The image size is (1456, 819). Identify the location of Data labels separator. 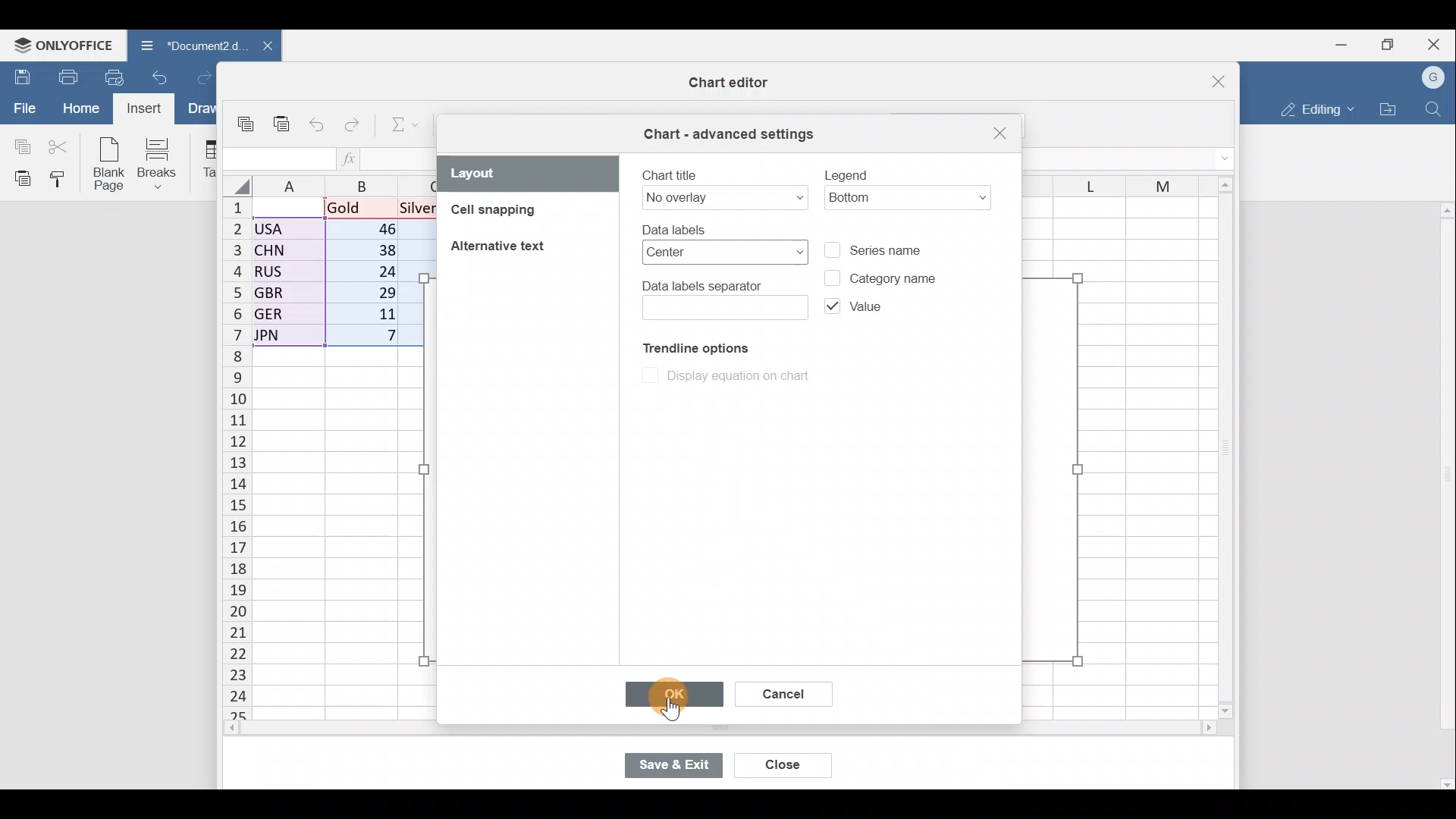
(723, 298).